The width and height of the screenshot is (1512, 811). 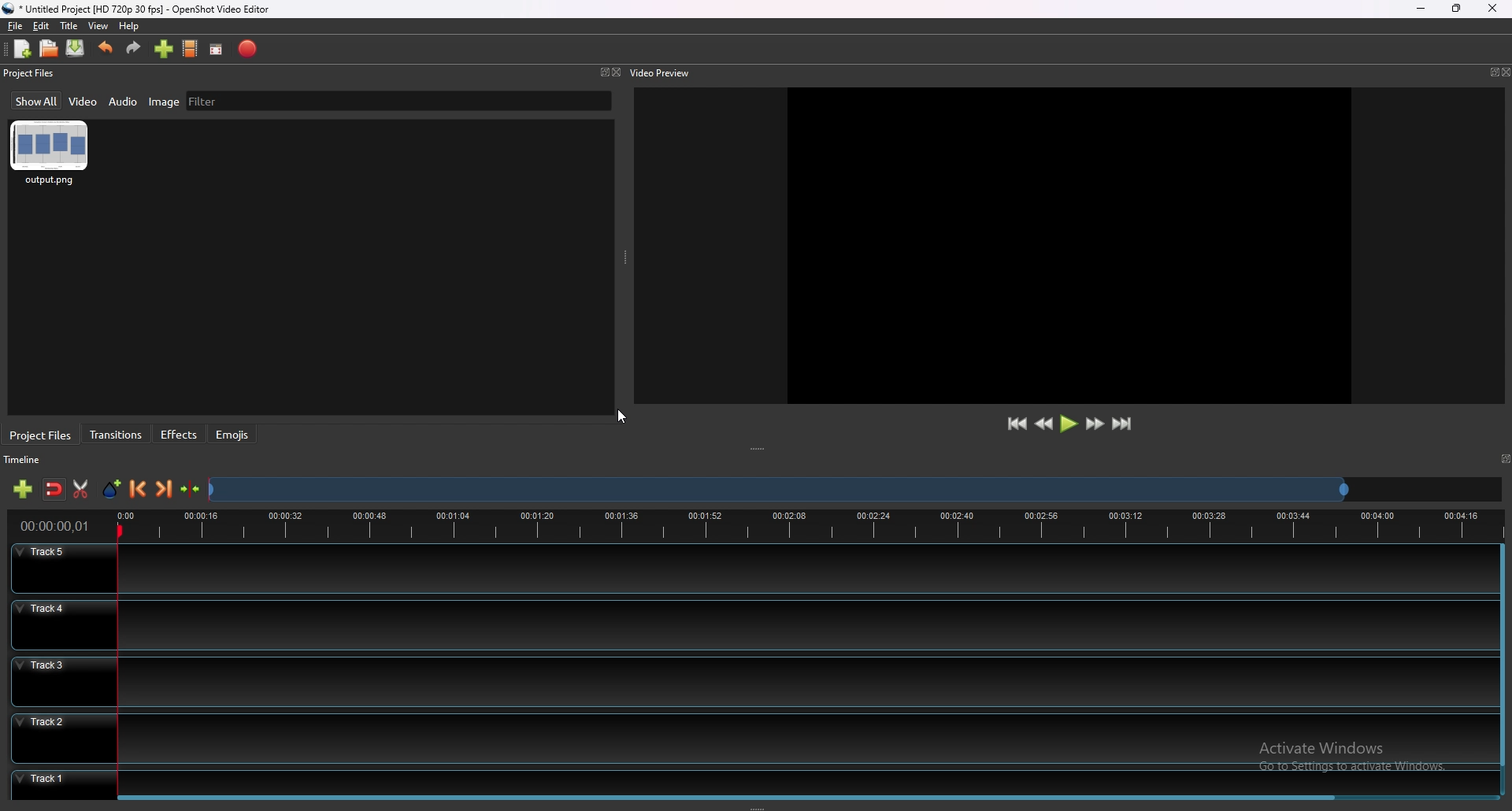 I want to click on transitions, so click(x=117, y=435).